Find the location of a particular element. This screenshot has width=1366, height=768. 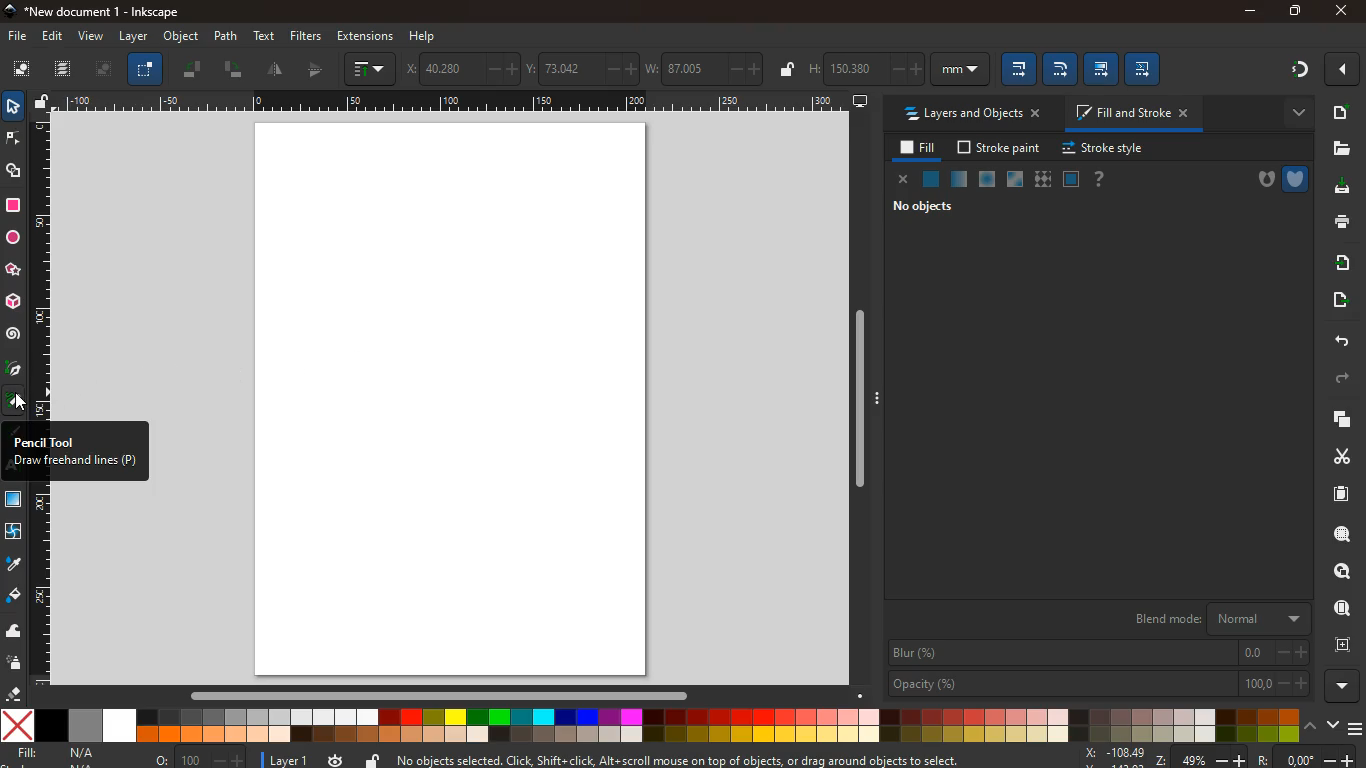

unlock is located at coordinates (784, 67).